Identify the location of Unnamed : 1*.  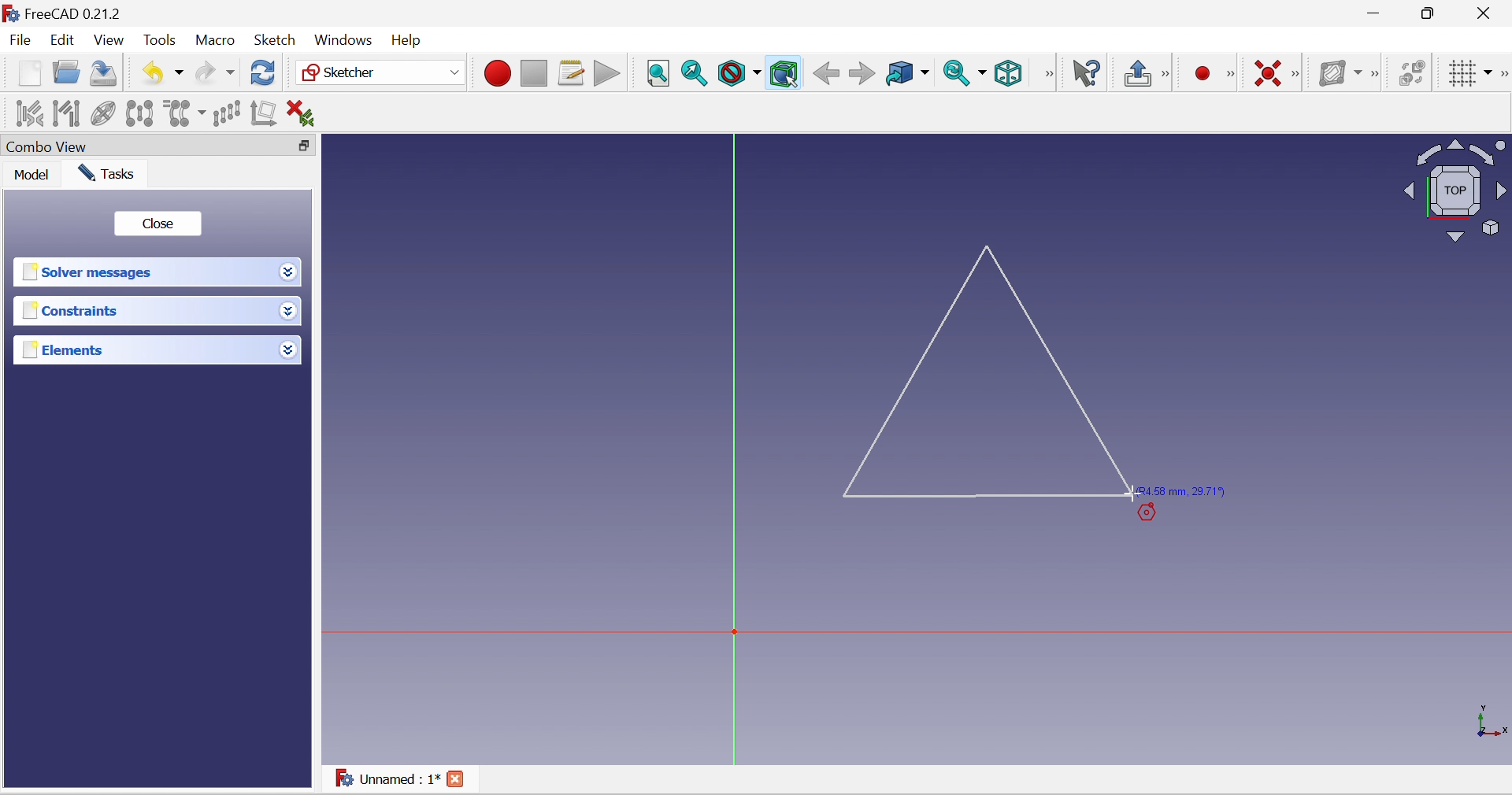
(388, 777).